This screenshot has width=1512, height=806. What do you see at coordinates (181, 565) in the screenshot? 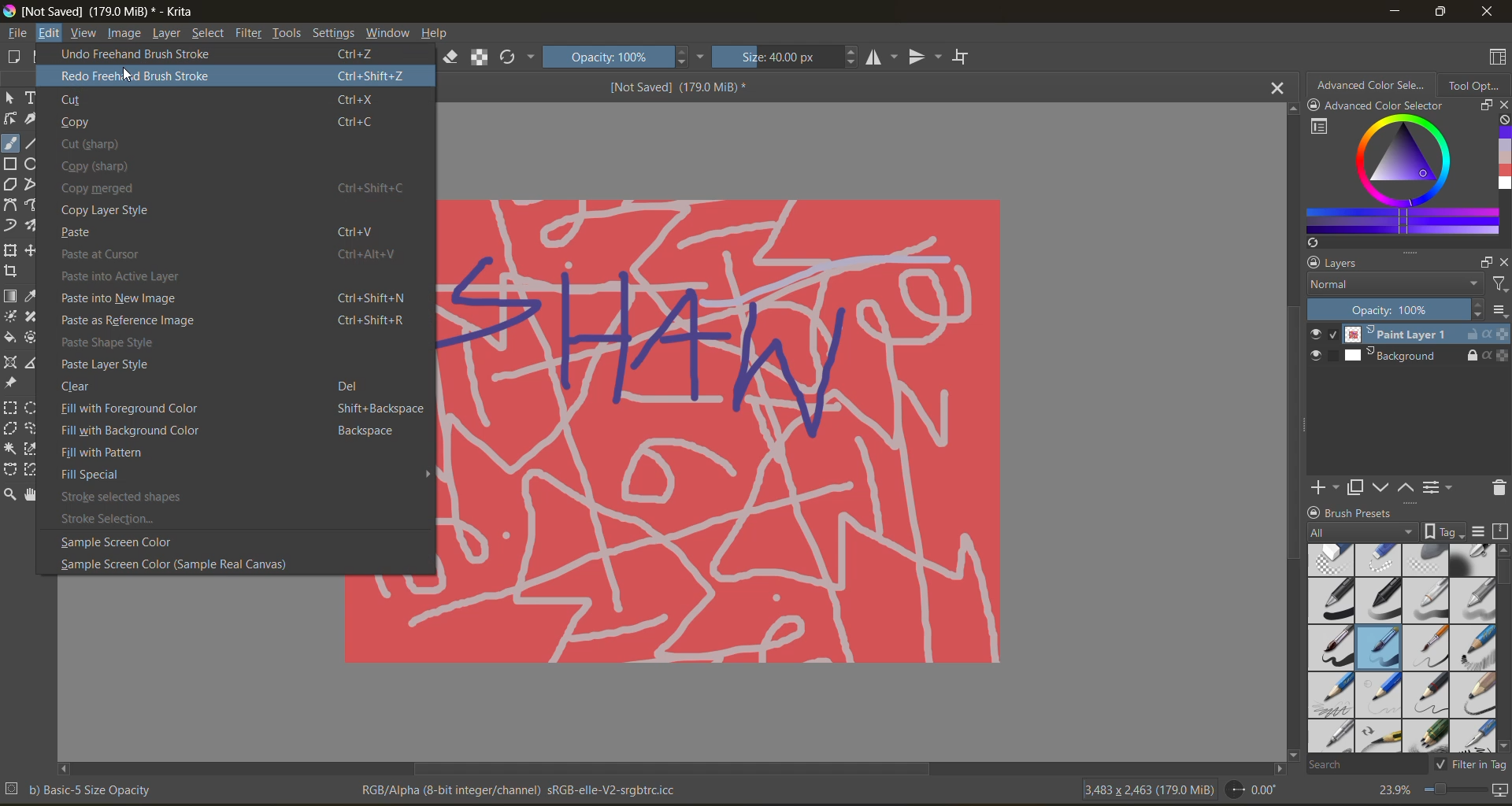
I see `sample screen color (Sample Real Canvas)` at bounding box center [181, 565].